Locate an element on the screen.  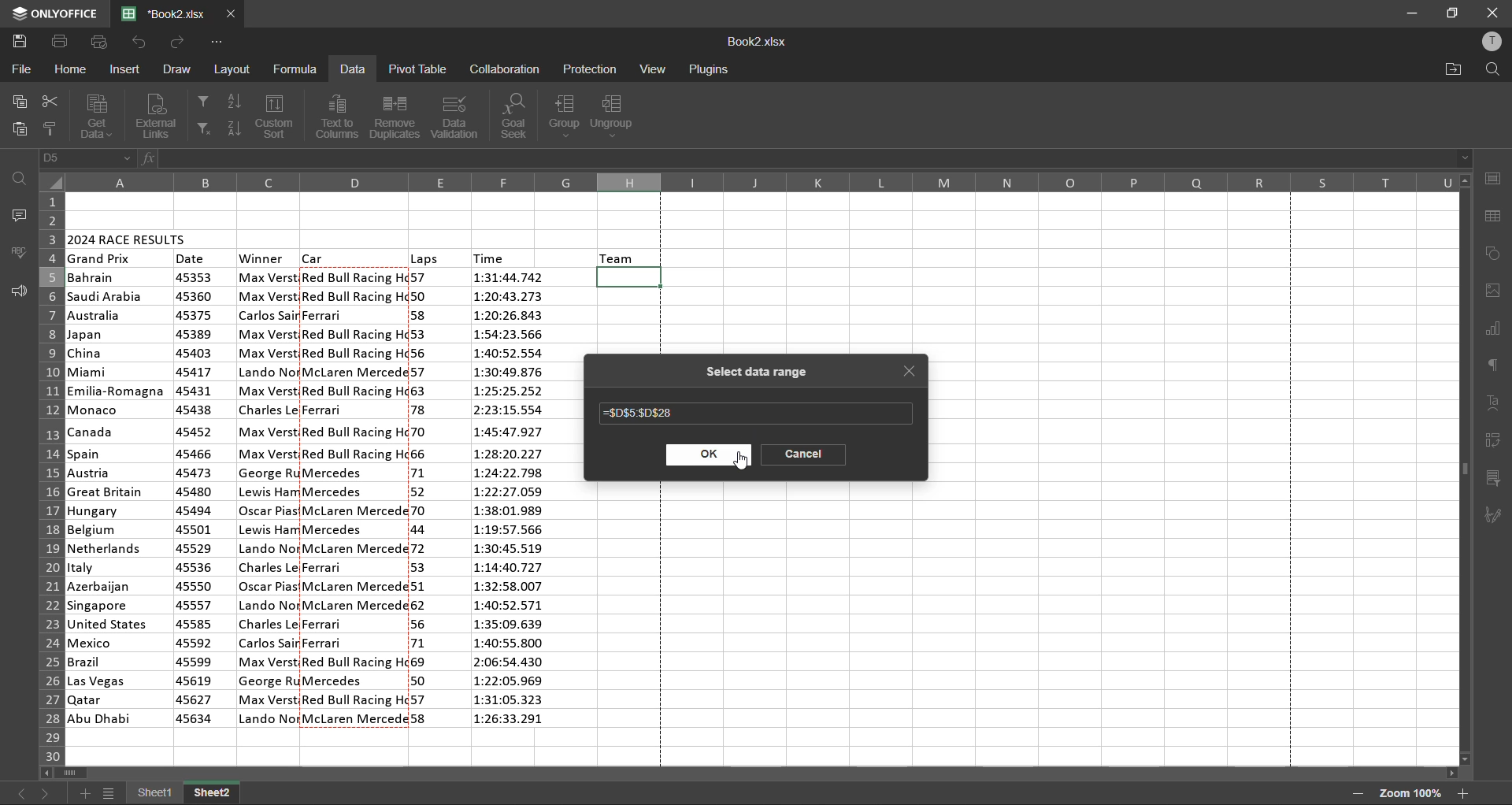
data validation is located at coordinates (457, 116).